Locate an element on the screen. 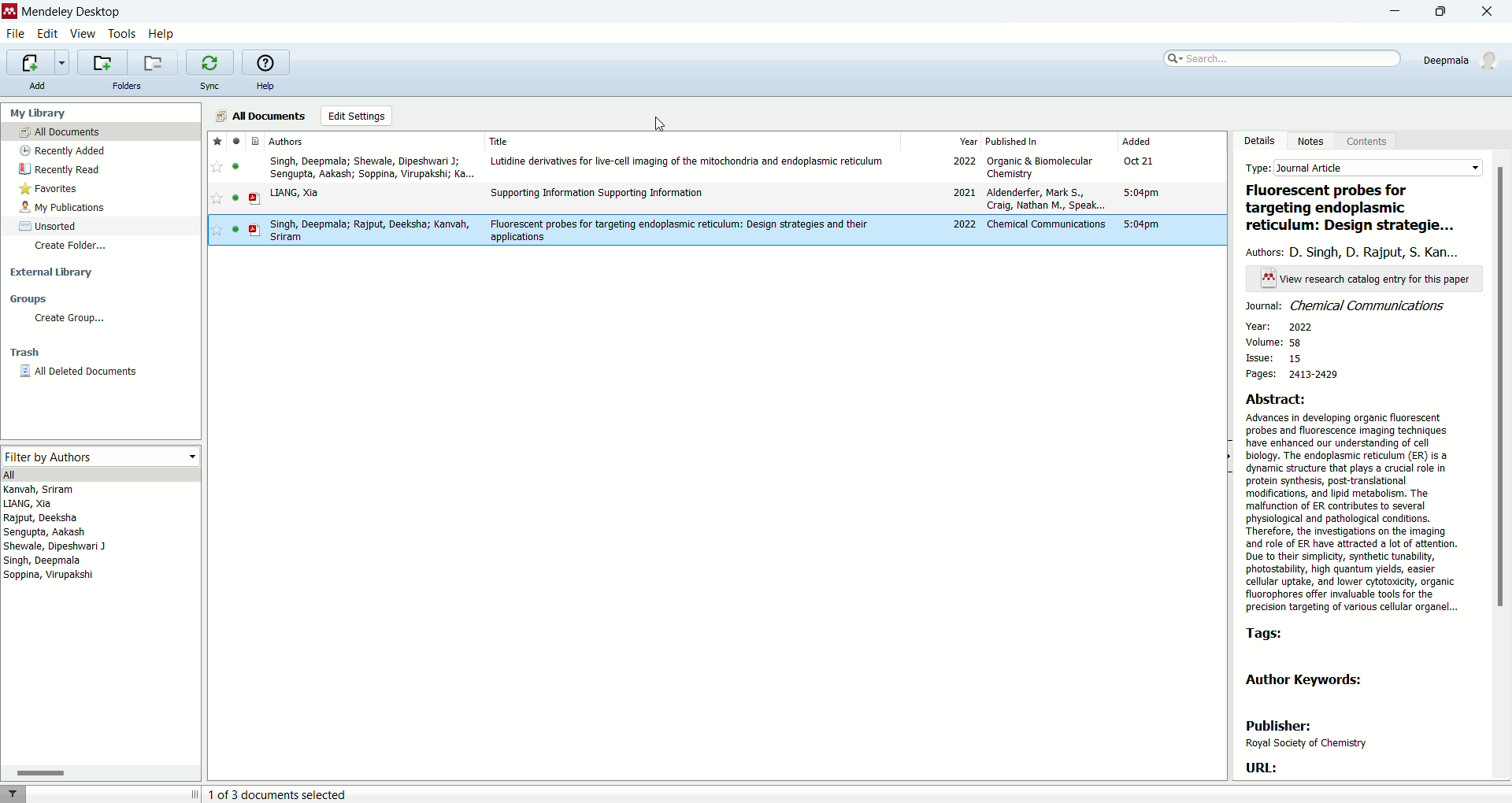  my library is located at coordinates (40, 113).